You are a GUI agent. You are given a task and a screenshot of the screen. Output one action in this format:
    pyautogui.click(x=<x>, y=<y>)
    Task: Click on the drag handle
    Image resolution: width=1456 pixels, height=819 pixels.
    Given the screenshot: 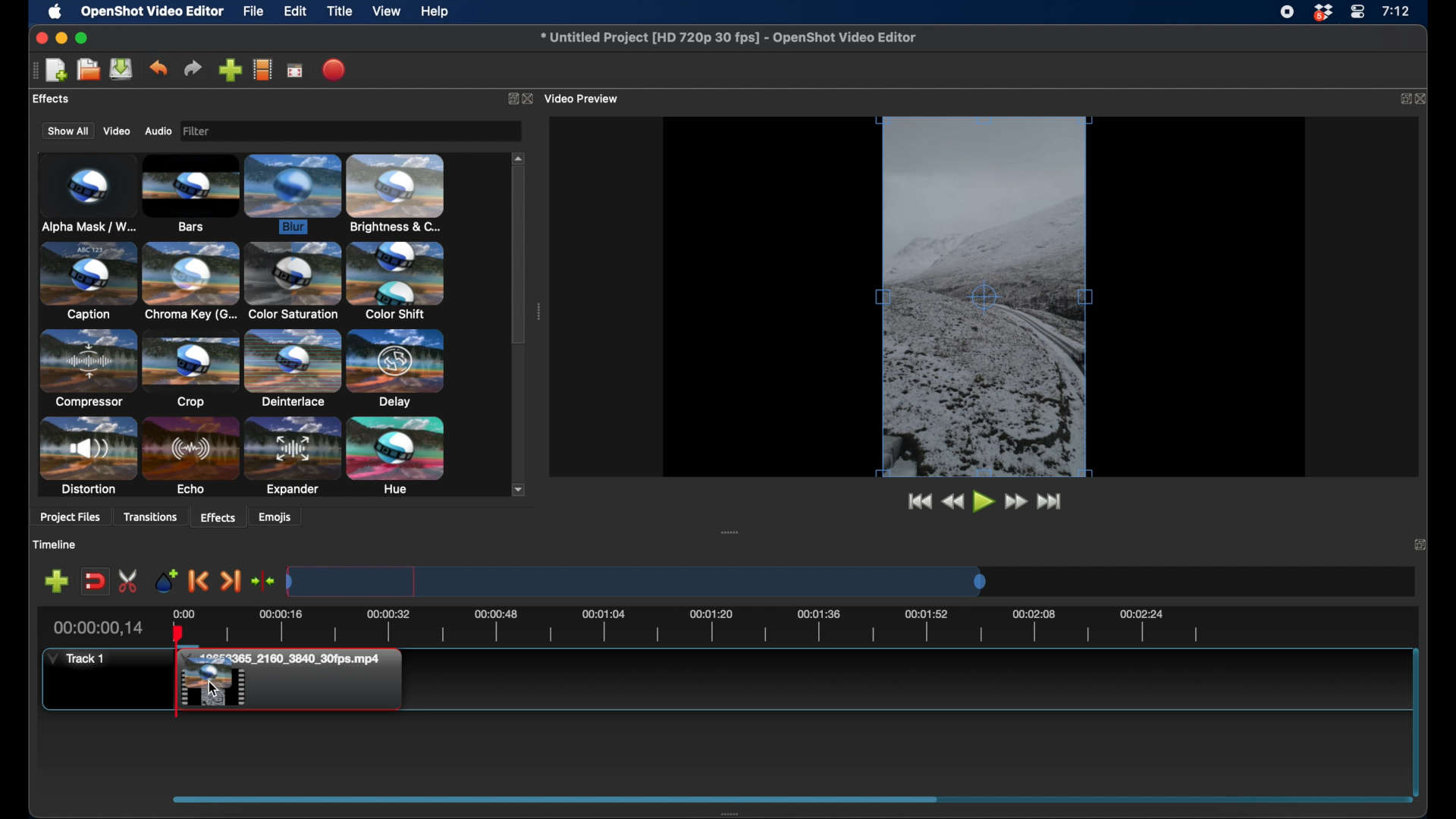 What is the action you would take?
    pyautogui.click(x=730, y=532)
    